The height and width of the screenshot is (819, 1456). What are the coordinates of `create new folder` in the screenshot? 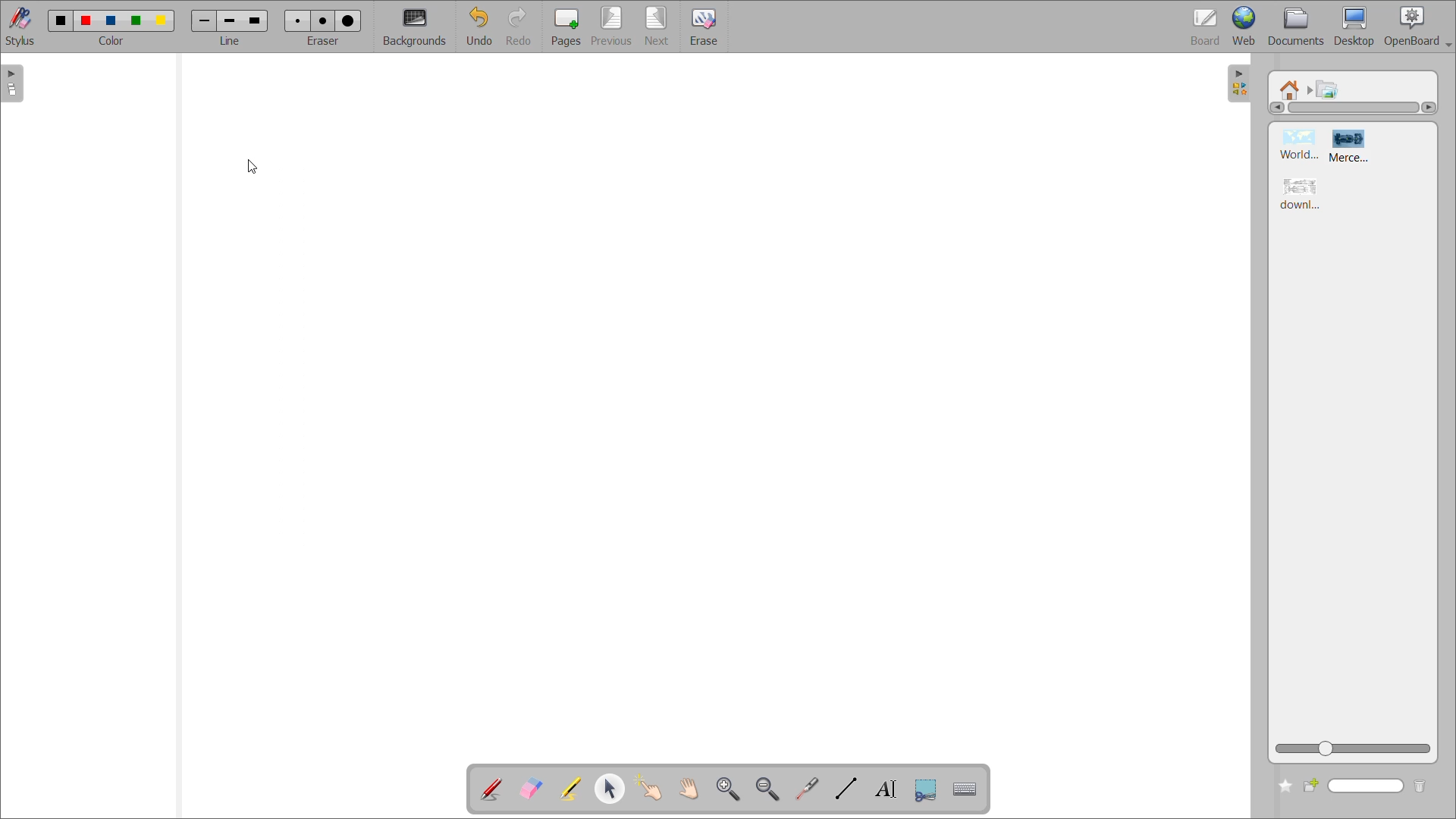 It's located at (1311, 789).